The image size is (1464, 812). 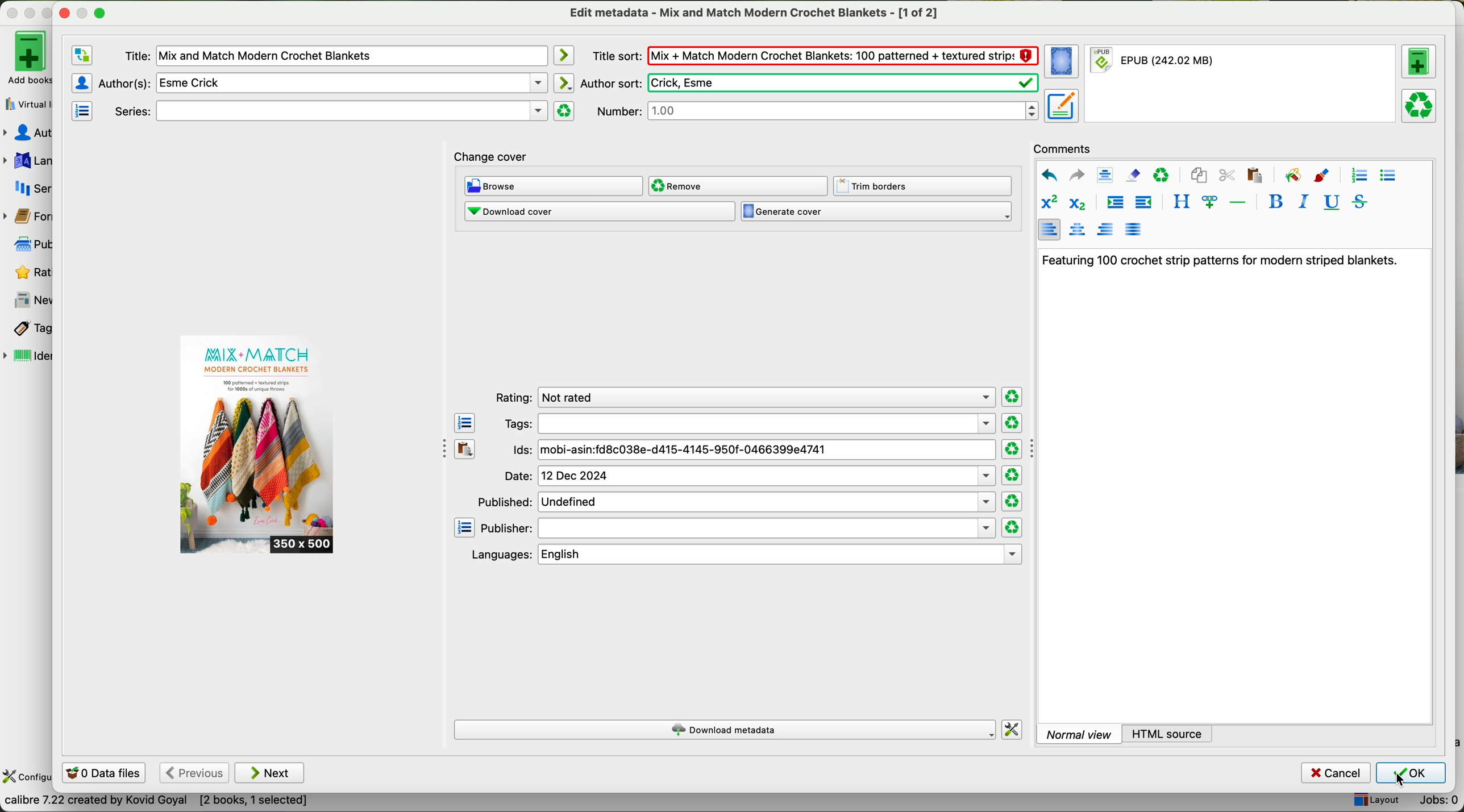 What do you see at coordinates (1012, 476) in the screenshot?
I see `clear rating` at bounding box center [1012, 476].